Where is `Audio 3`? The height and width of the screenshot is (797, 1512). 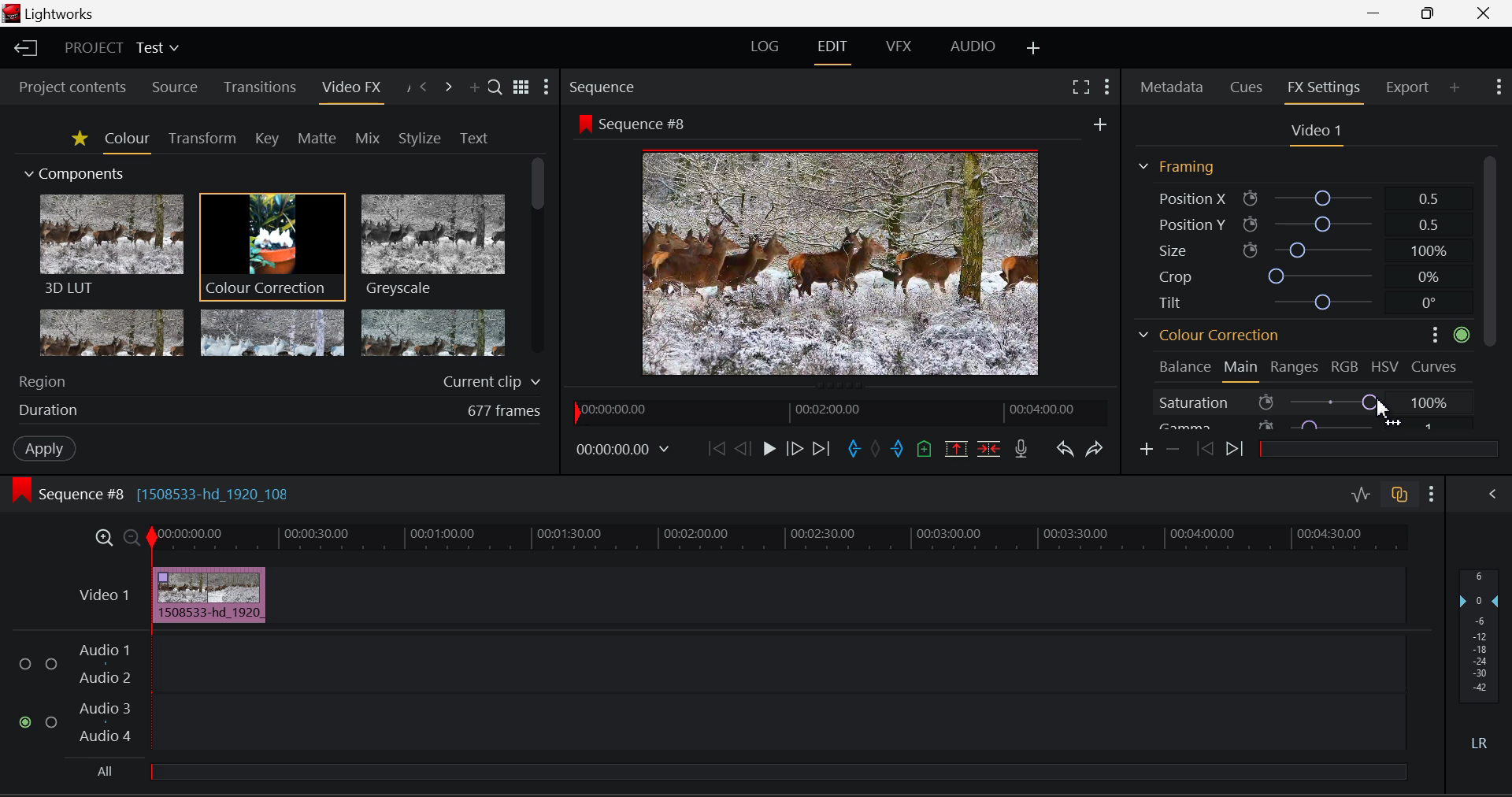 Audio 3 is located at coordinates (105, 710).